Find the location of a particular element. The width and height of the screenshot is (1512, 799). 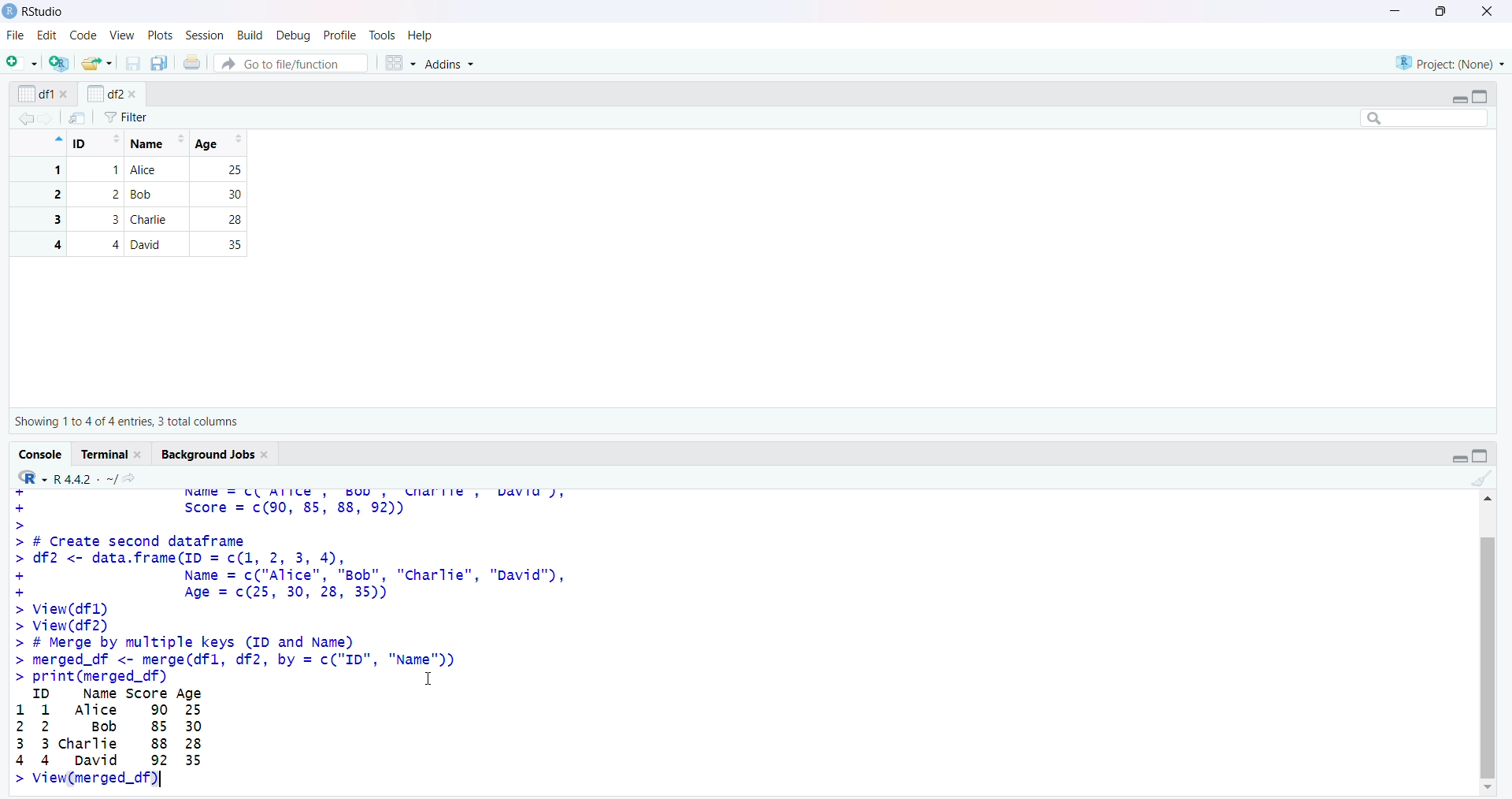

project (none) is located at coordinates (1450, 62).